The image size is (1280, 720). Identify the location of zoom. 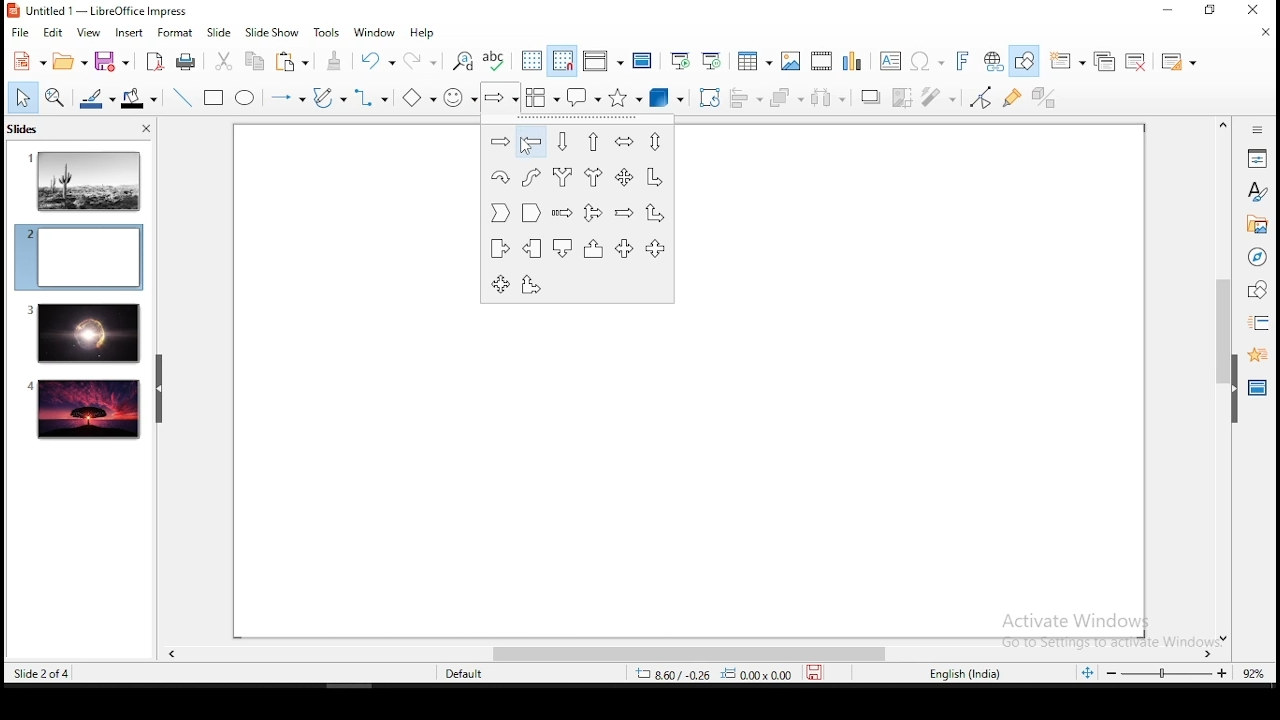
(1169, 673).